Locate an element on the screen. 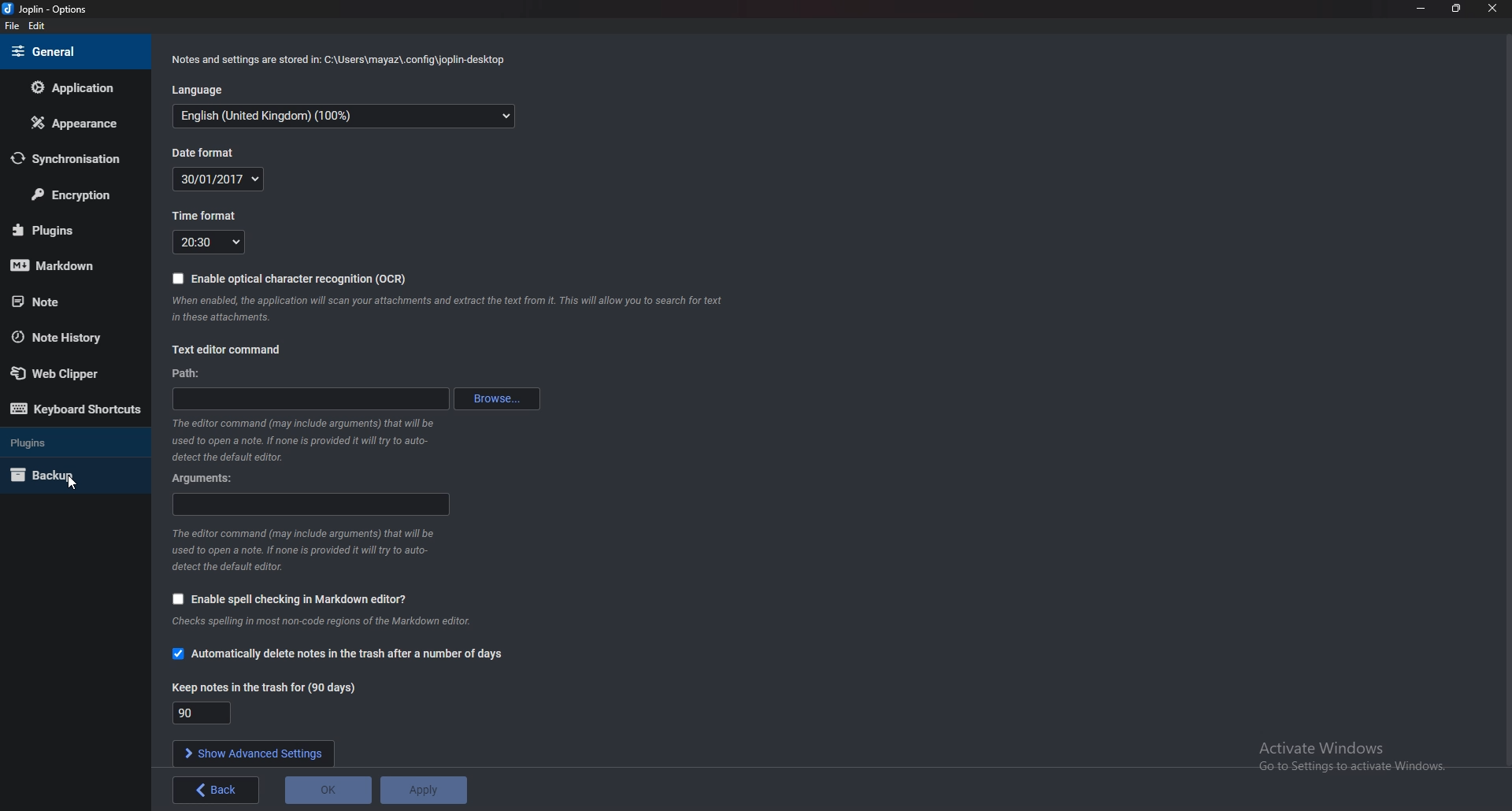  Language is located at coordinates (340, 115).